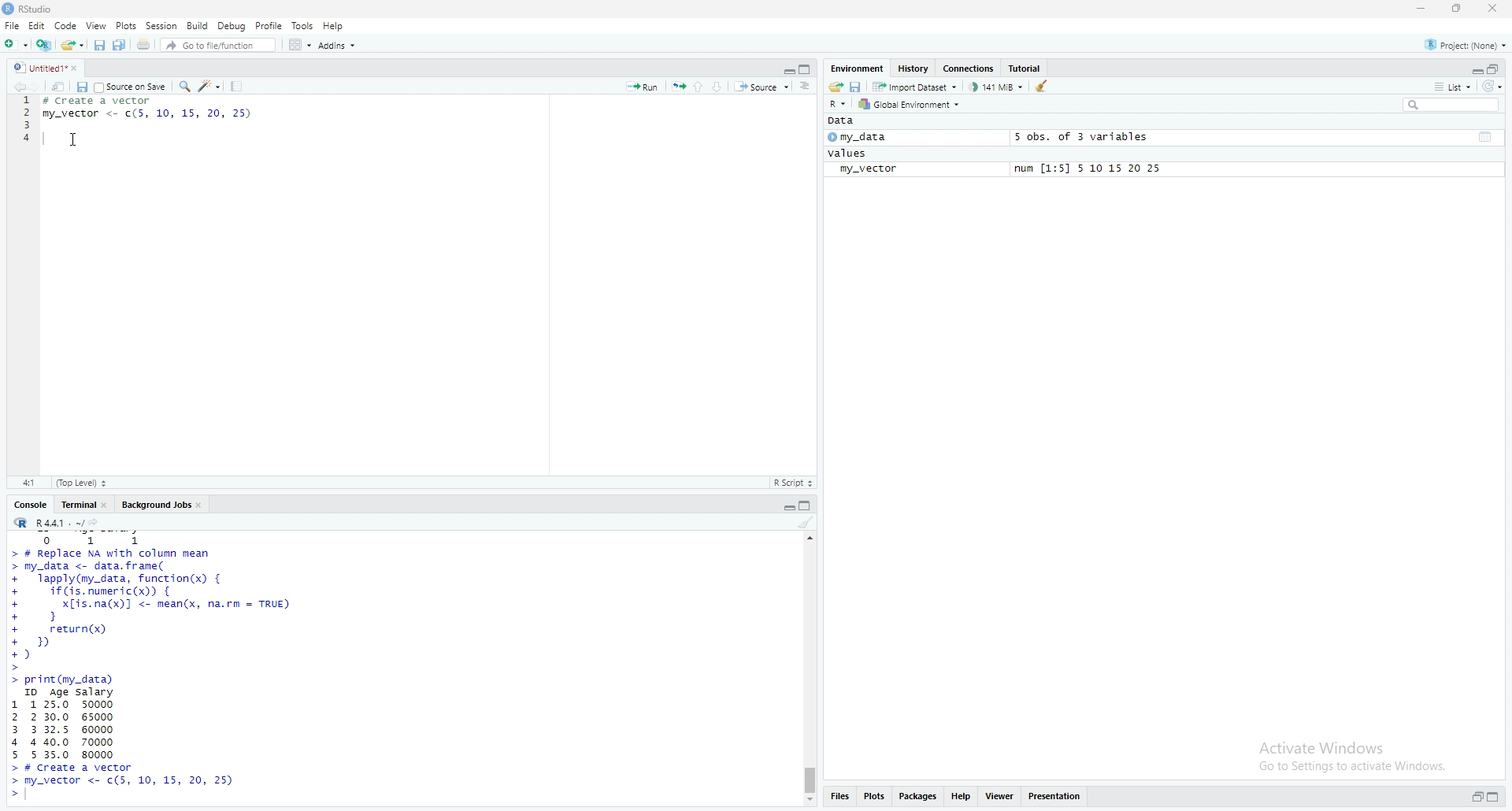 Image resolution: width=1512 pixels, height=811 pixels. Describe the element at coordinates (162, 25) in the screenshot. I see `session` at that location.